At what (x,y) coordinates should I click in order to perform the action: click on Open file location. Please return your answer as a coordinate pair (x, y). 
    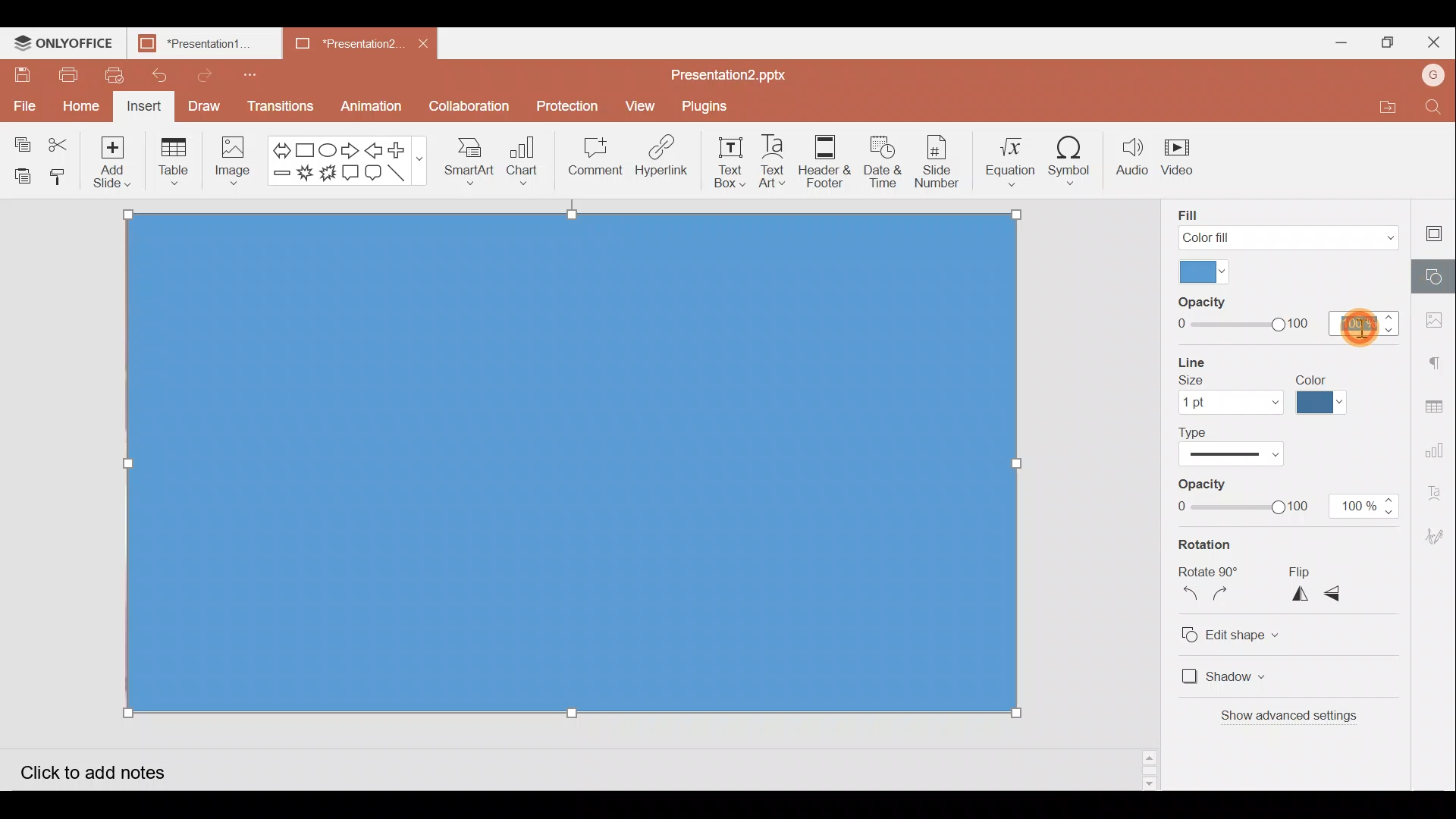
    Looking at the image, I should click on (1392, 106).